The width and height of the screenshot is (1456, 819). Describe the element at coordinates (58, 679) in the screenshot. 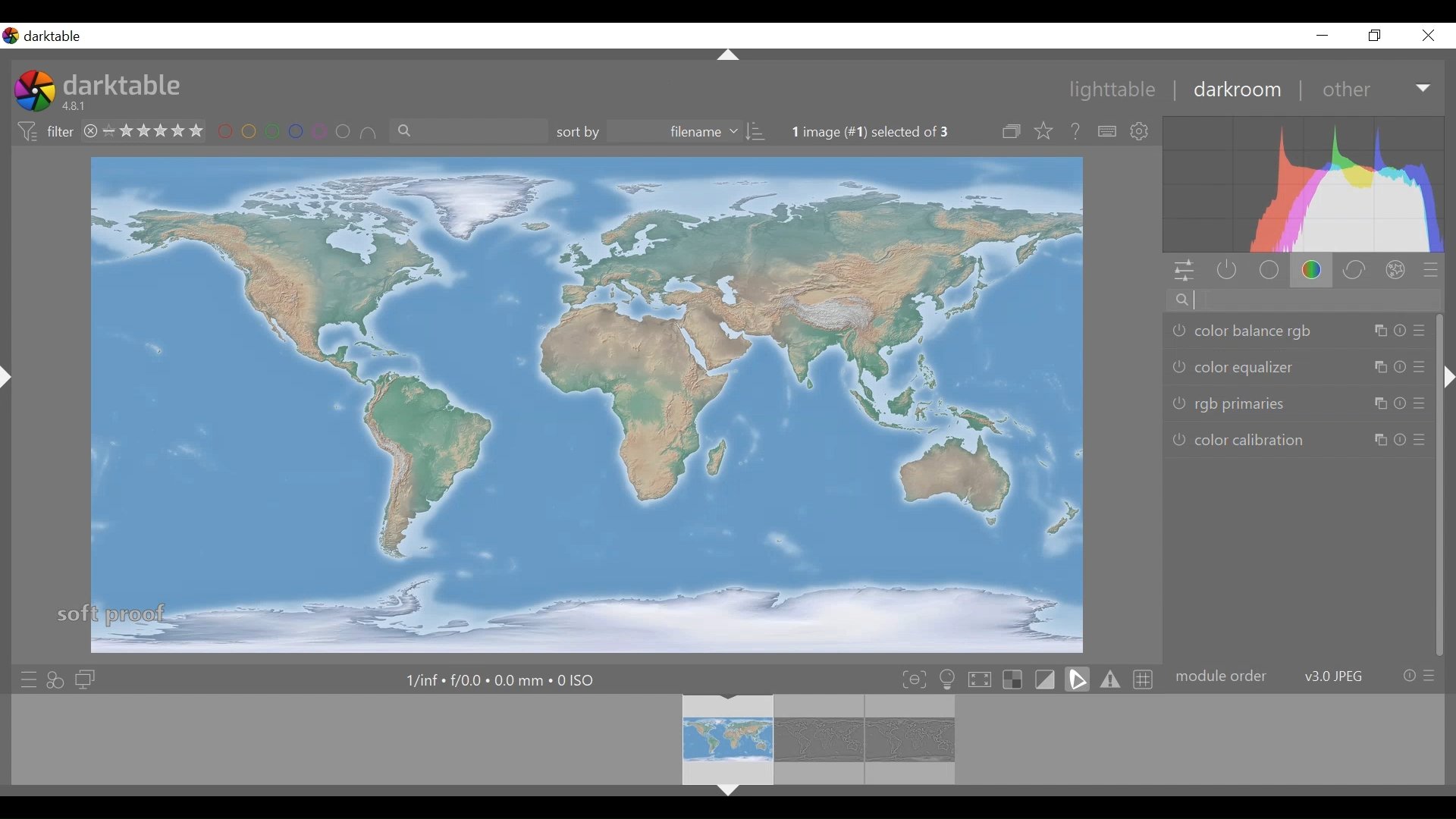

I see `quick access for applying any of styles` at that location.